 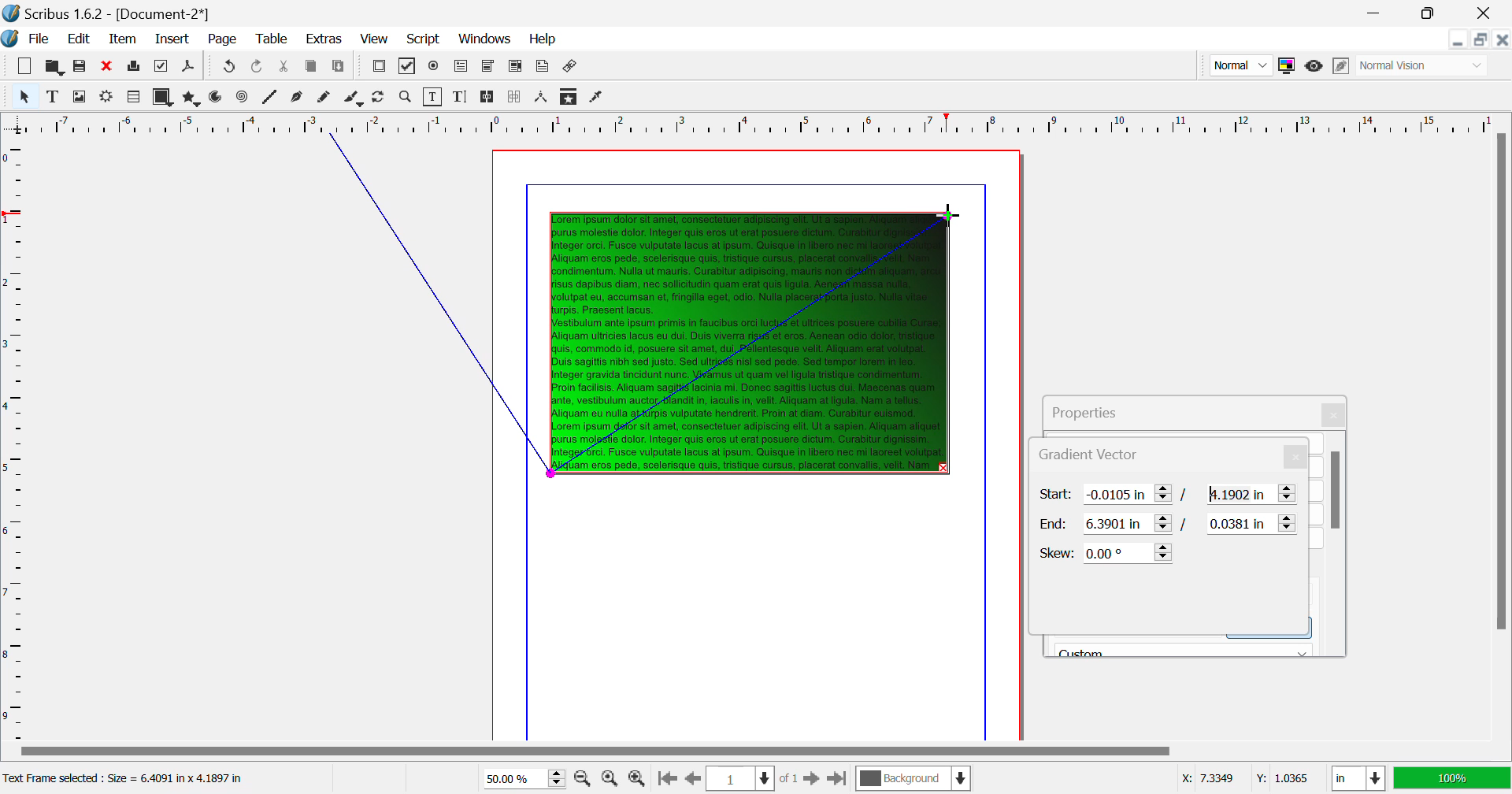 I want to click on Open, so click(x=54, y=65).